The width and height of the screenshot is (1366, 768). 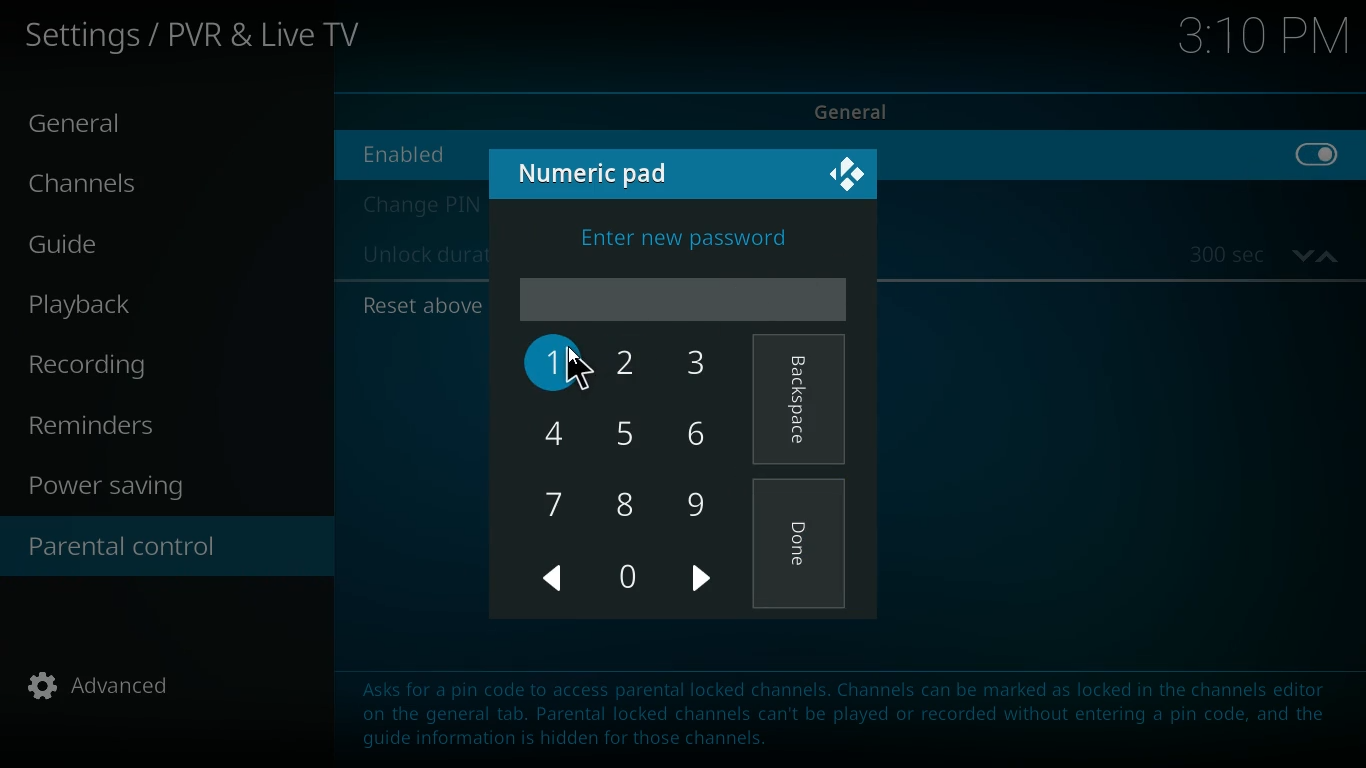 I want to click on 1, so click(x=552, y=363).